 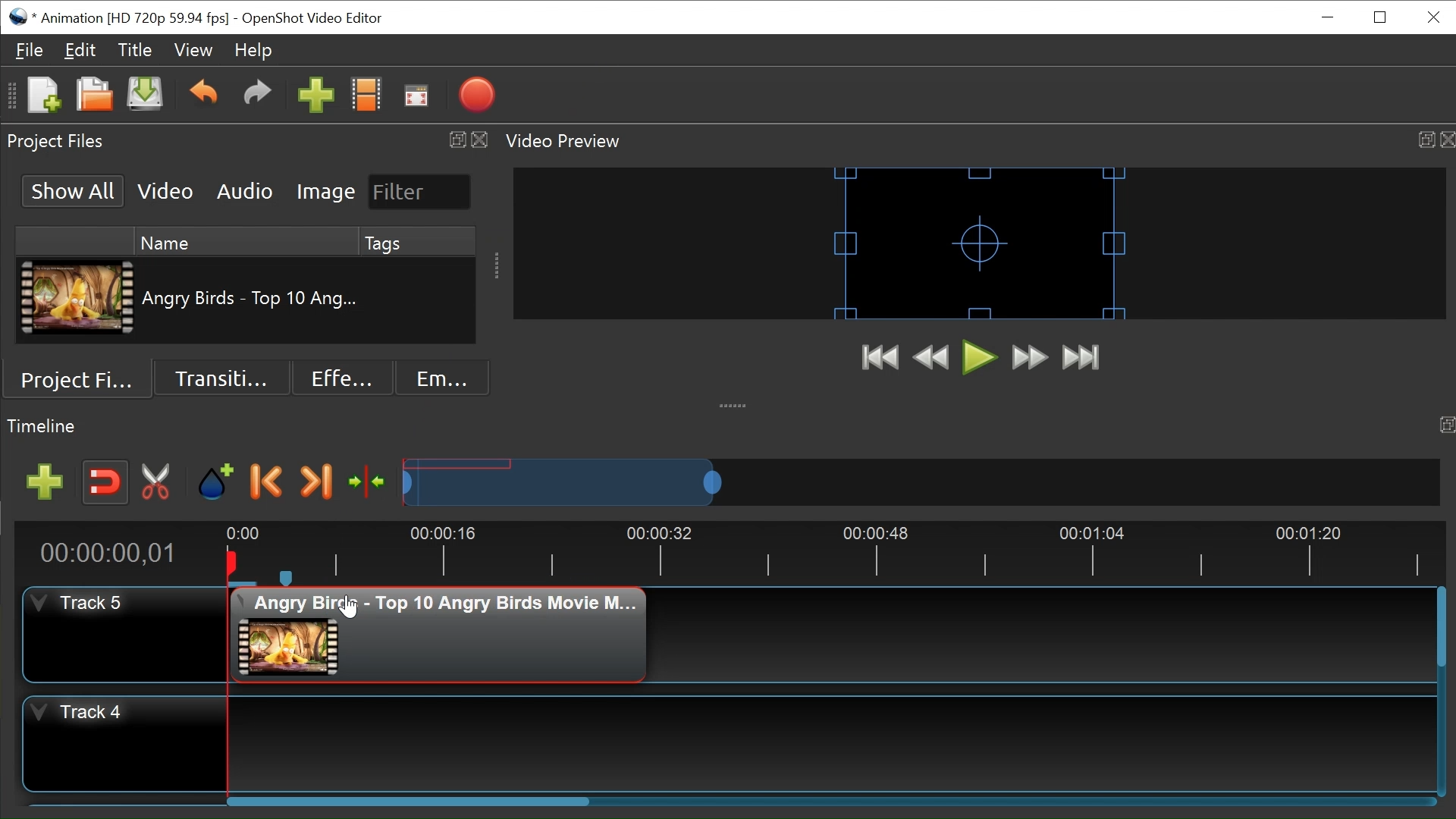 I want to click on Project Name, so click(x=133, y=19).